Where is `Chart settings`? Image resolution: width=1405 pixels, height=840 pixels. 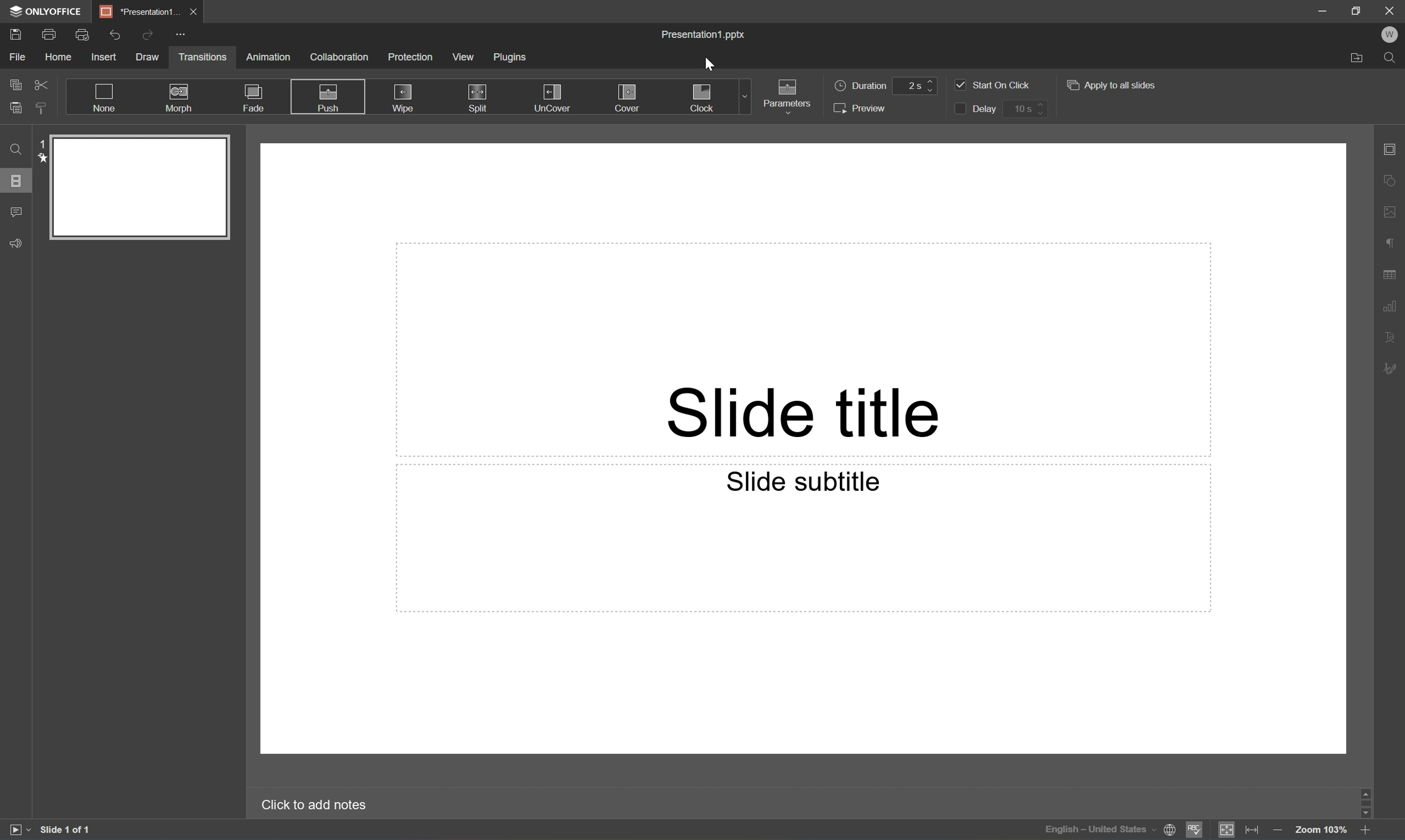
Chart settings is located at coordinates (1392, 310).